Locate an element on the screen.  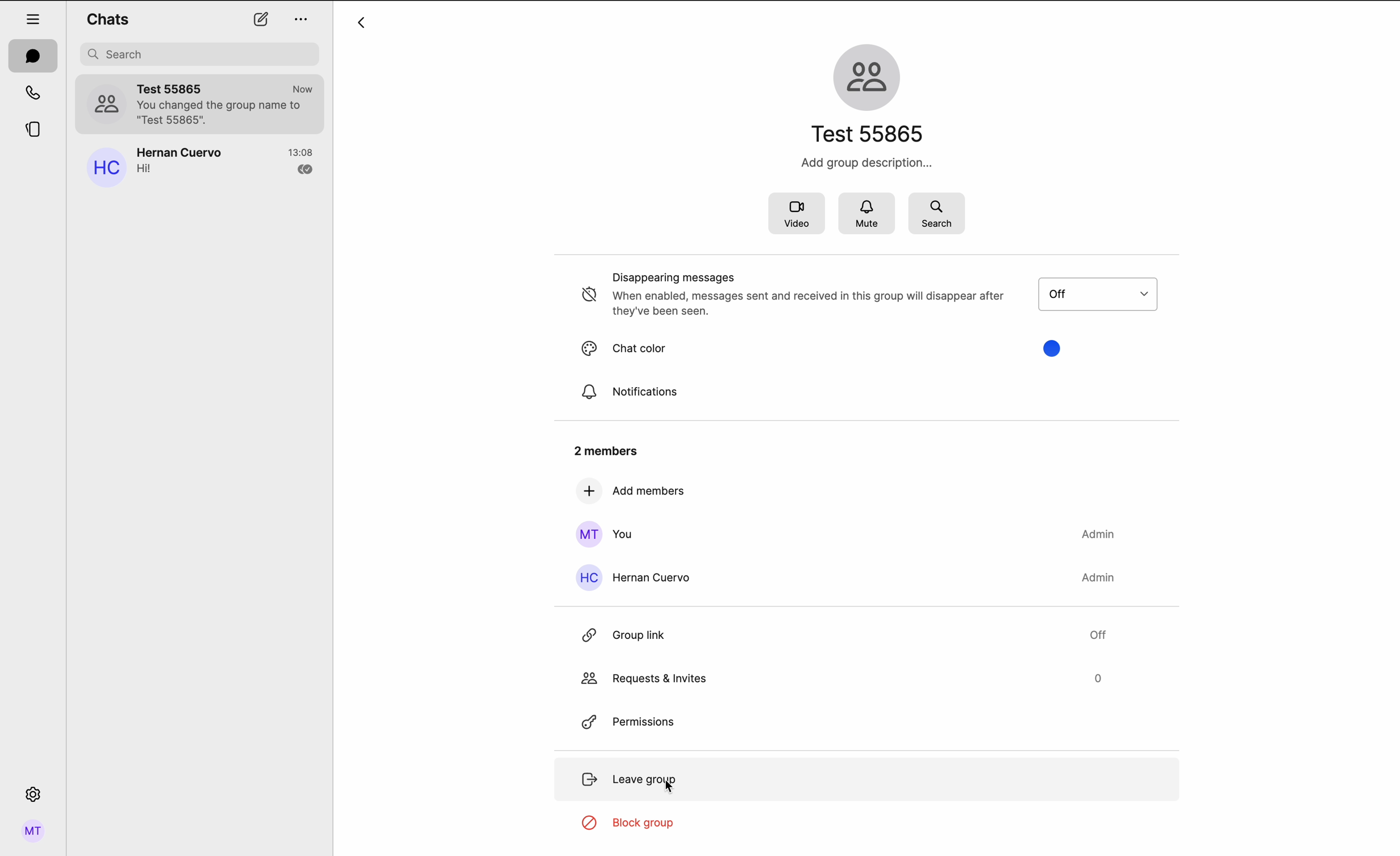
button is located at coordinates (1113, 293).